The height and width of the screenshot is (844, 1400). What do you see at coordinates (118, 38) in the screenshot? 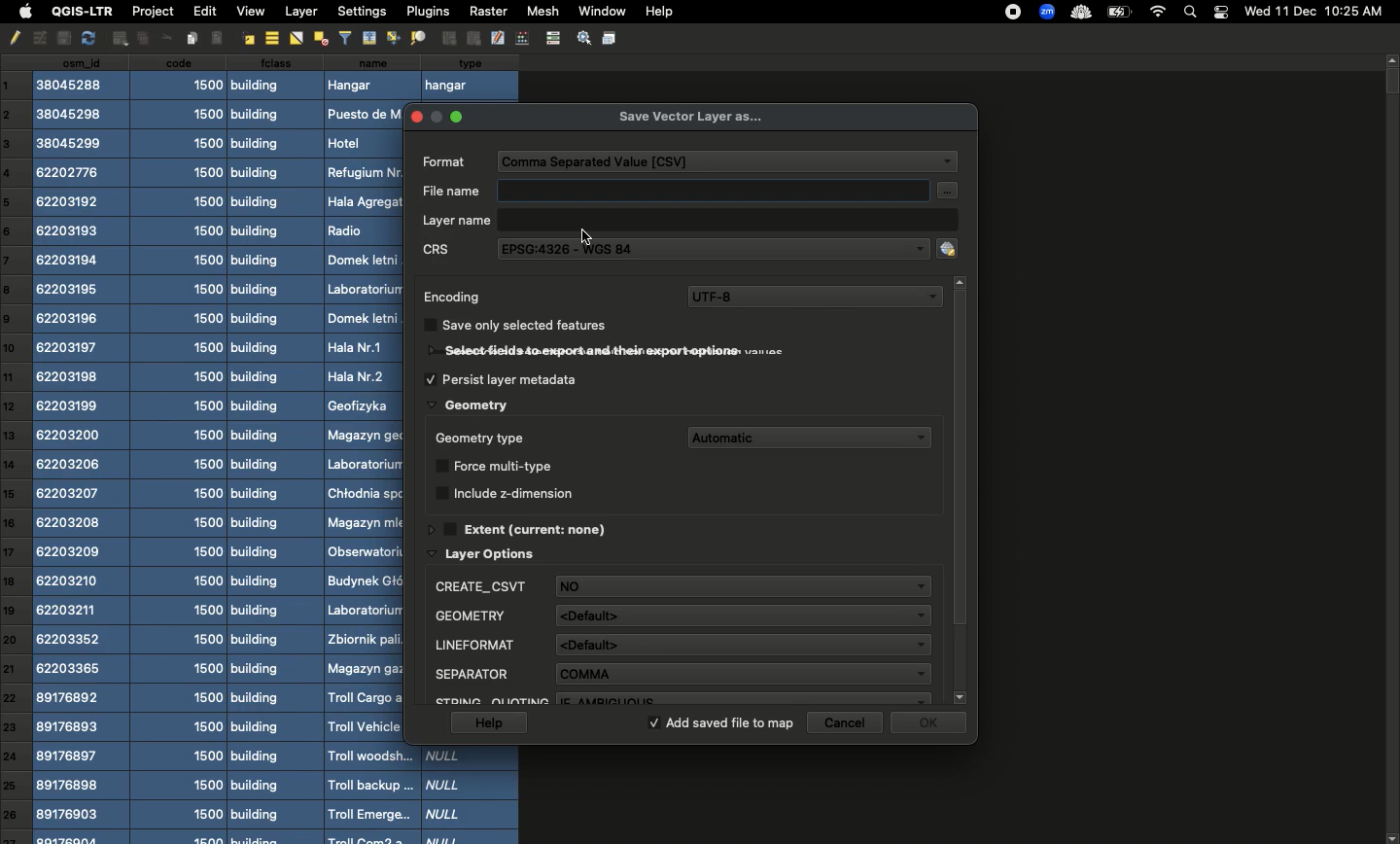
I see `Insert Ellipse` at bounding box center [118, 38].